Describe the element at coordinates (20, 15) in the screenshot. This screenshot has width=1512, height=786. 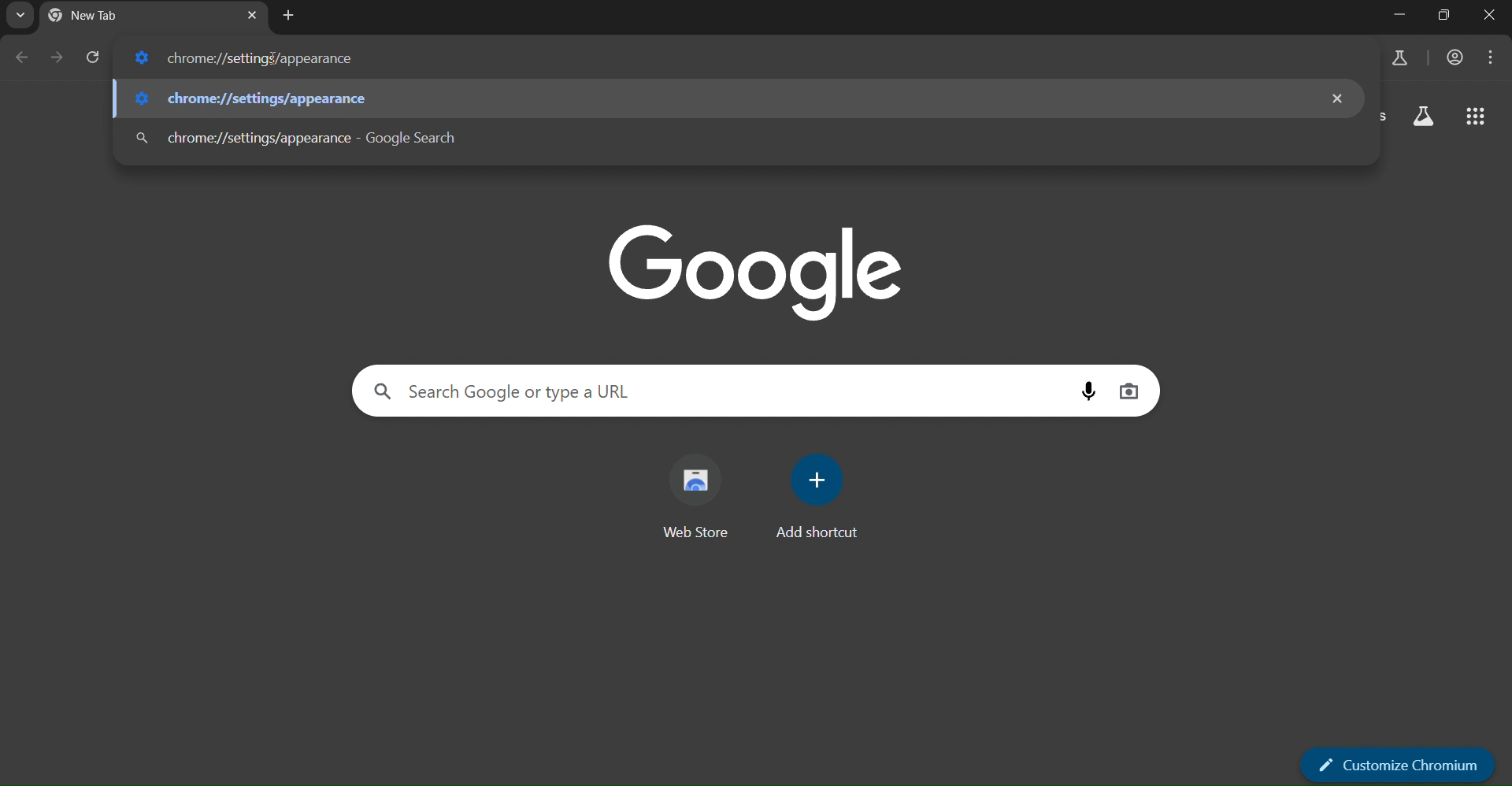
I see `search tabs` at that location.